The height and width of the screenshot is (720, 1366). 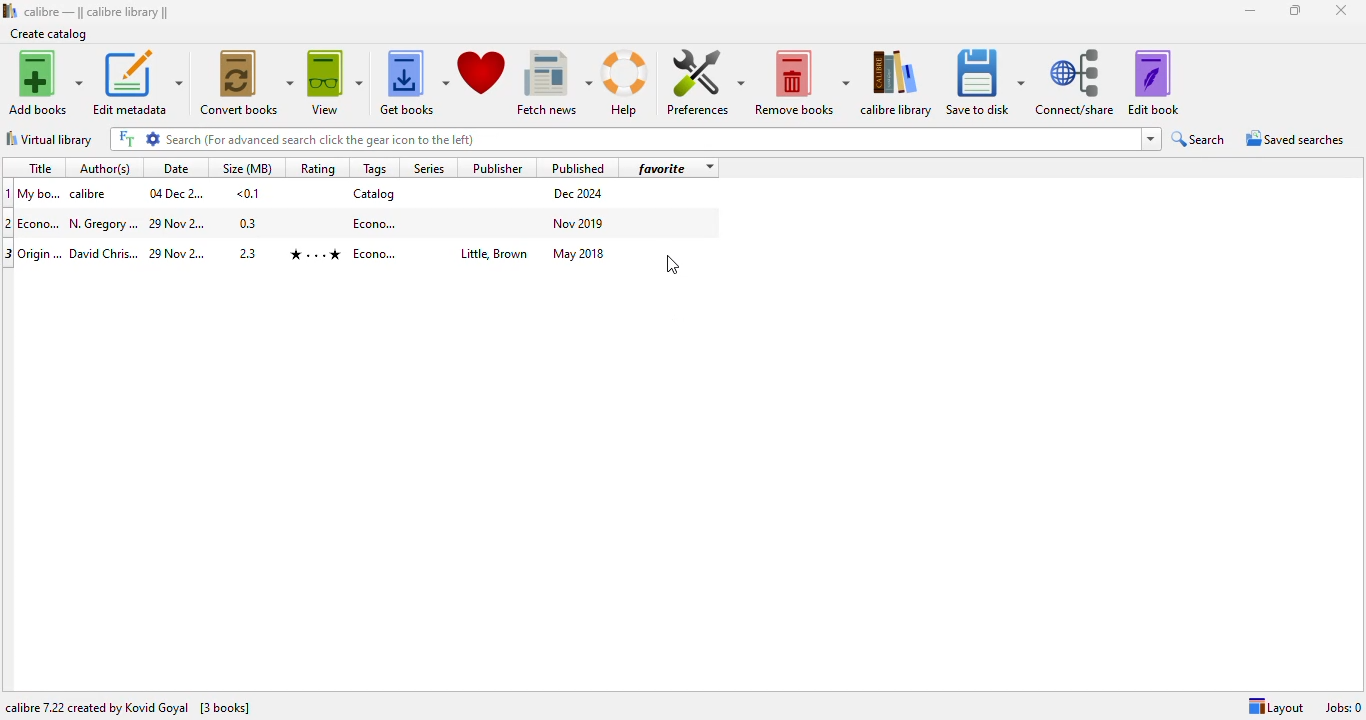 What do you see at coordinates (248, 82) in the screenshot?
I see `convert books` at bounding box center [248, 82].